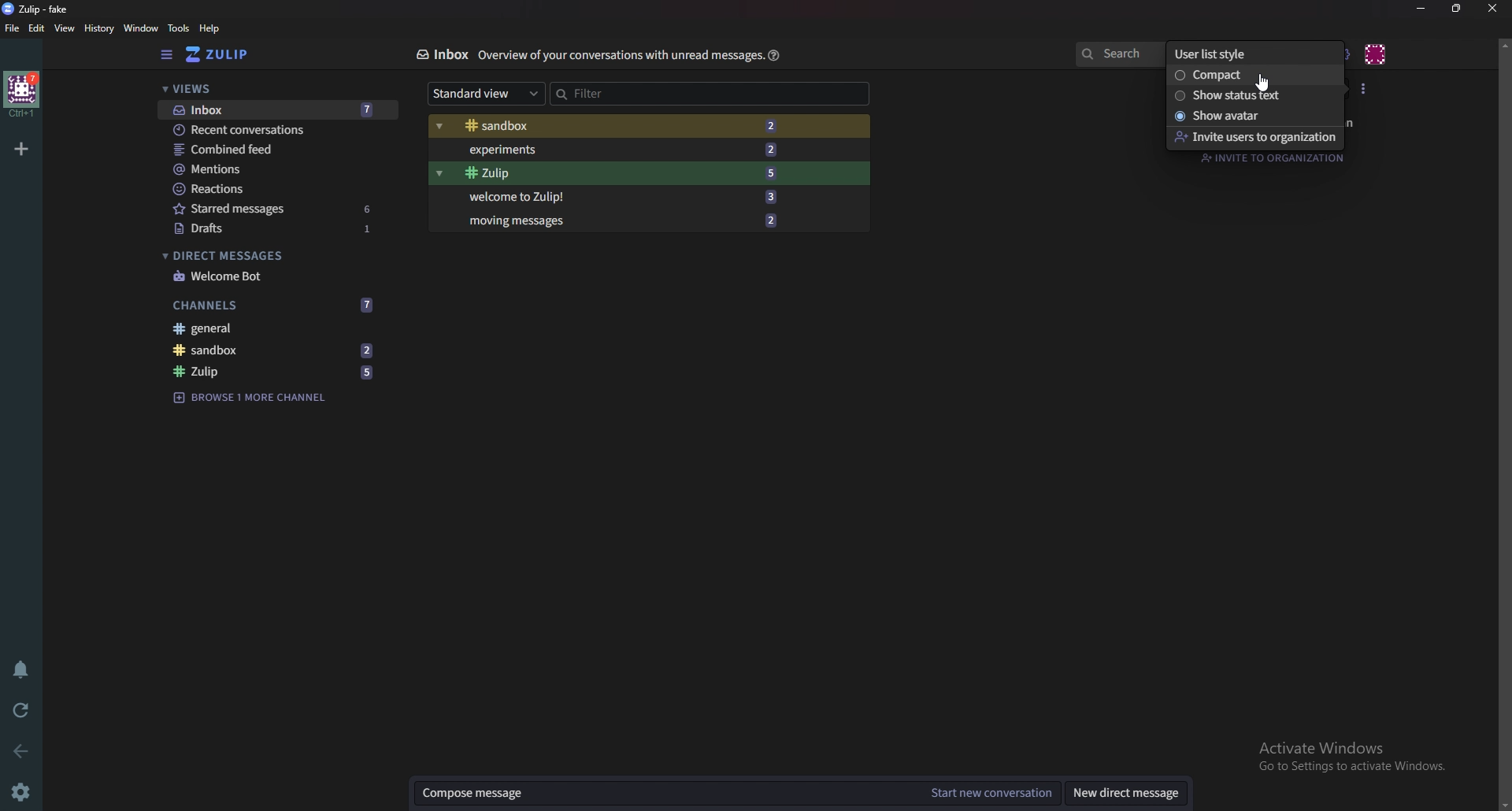 The image size is (1512, 811). What do you see at coordinates (1262, 84) in the screenshot?
I see `cursor` at bounding box center [1262, 84].